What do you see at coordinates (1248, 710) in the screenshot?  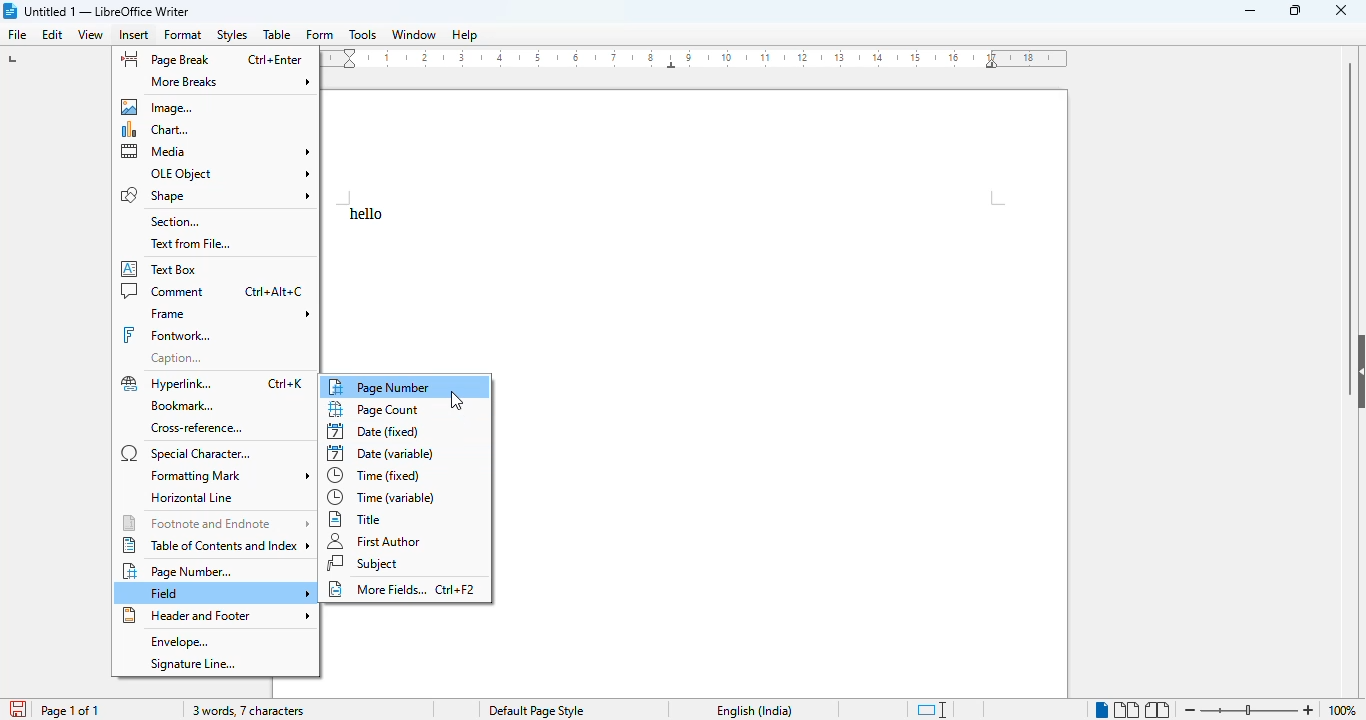 I see `zoom in or zoom out bar` at bounding box center [1248, 710].